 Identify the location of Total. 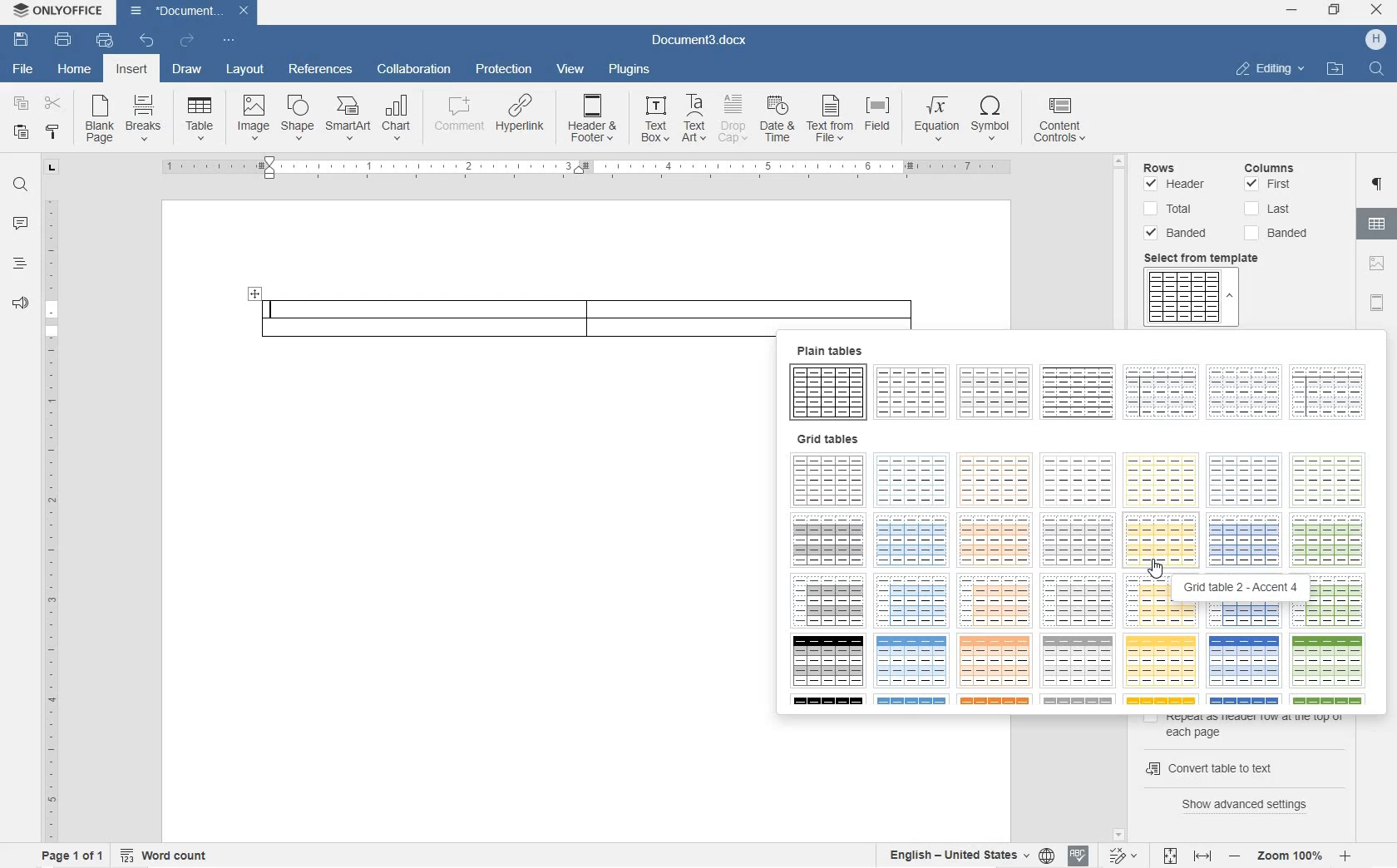
(1171, 210).